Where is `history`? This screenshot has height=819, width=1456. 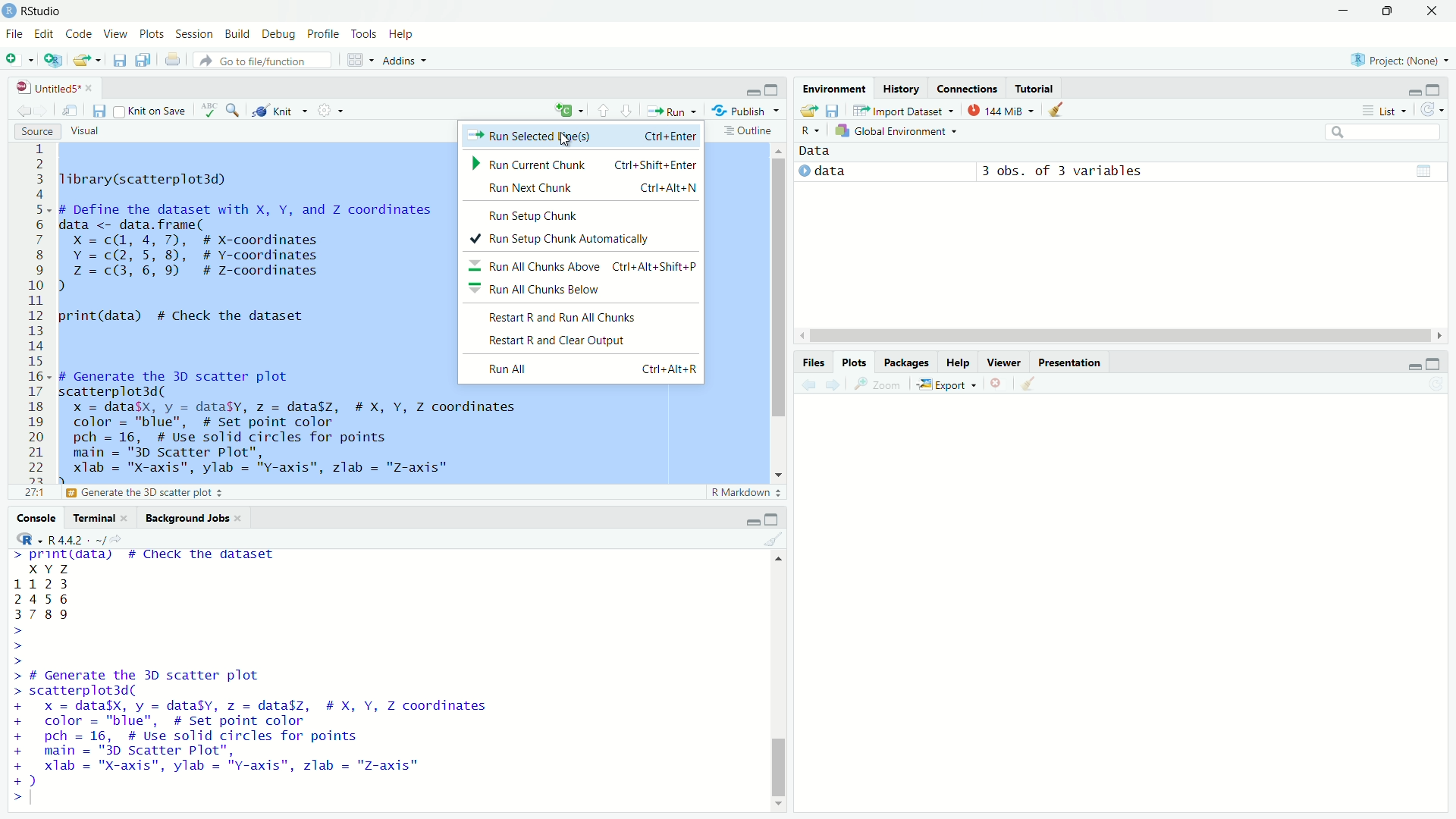 history is located at coordinates (903, 88).